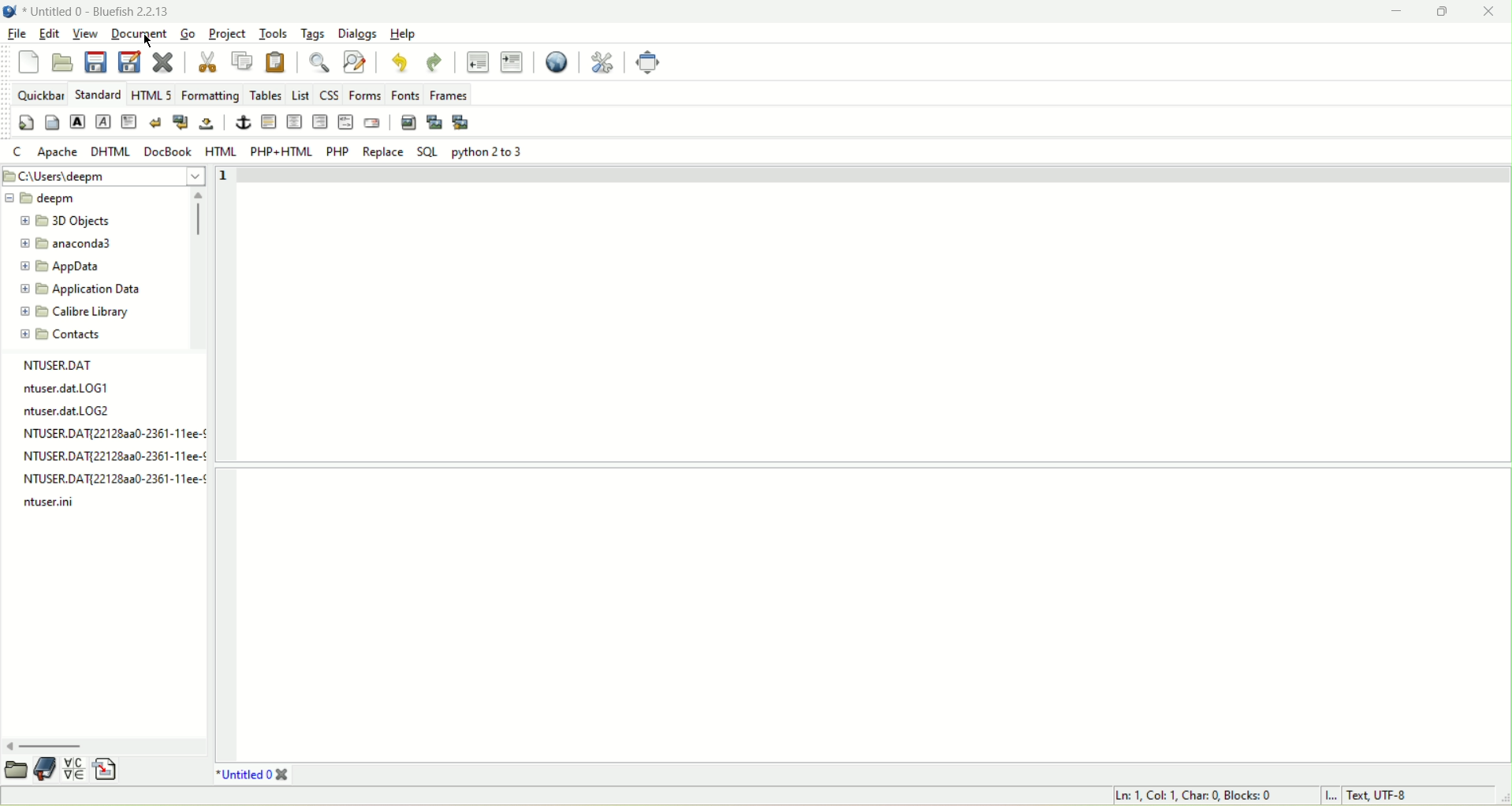 This screenshot has width=1512, height=806. Describe the element at coordinates (601, 62) in the screenshot. I see `preferences` at that location.